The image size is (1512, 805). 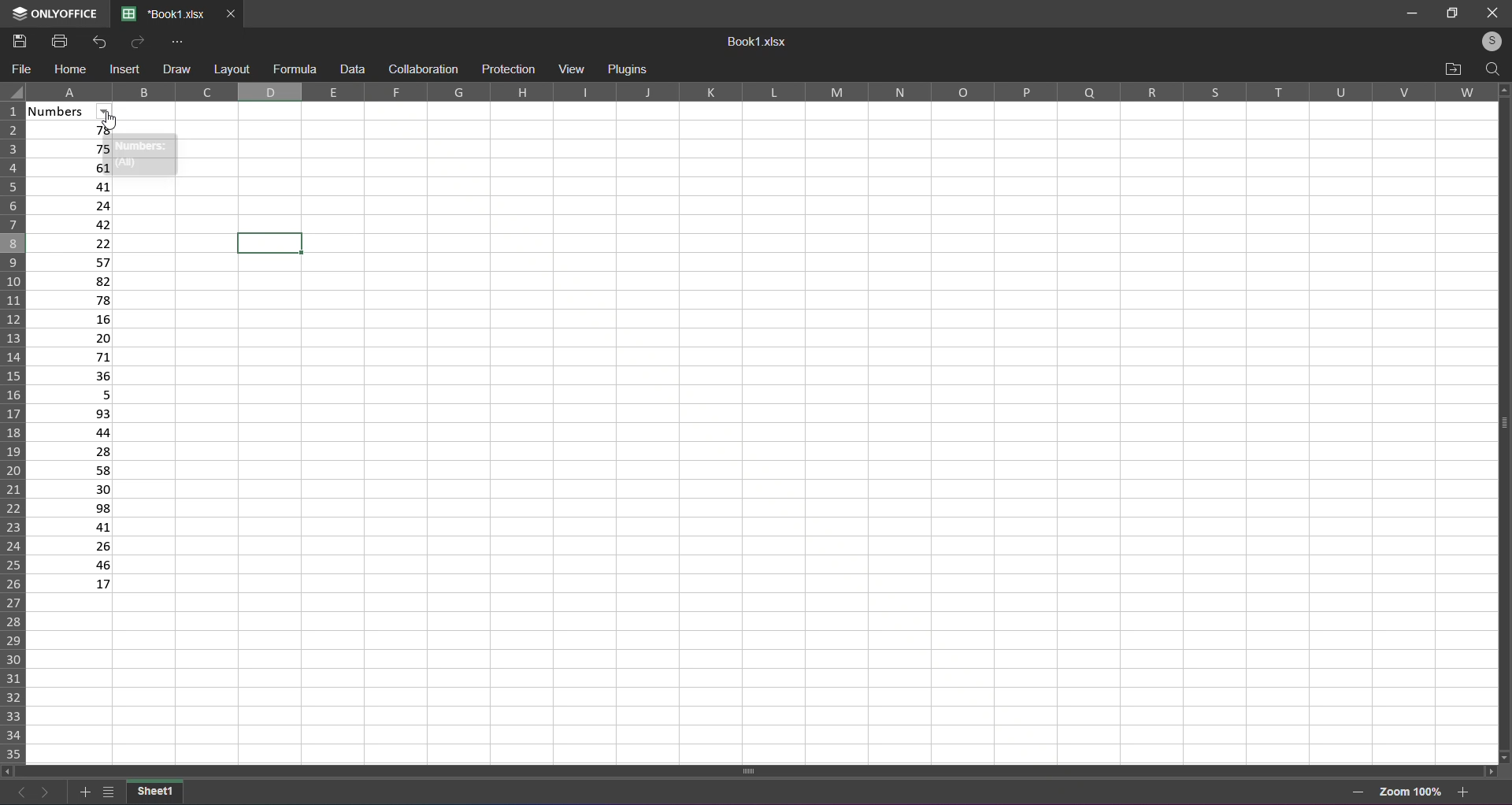 What do you see at coordinates (273, 243) in the screenshot?
I see `selected cells` at bounding box center [273, 243].